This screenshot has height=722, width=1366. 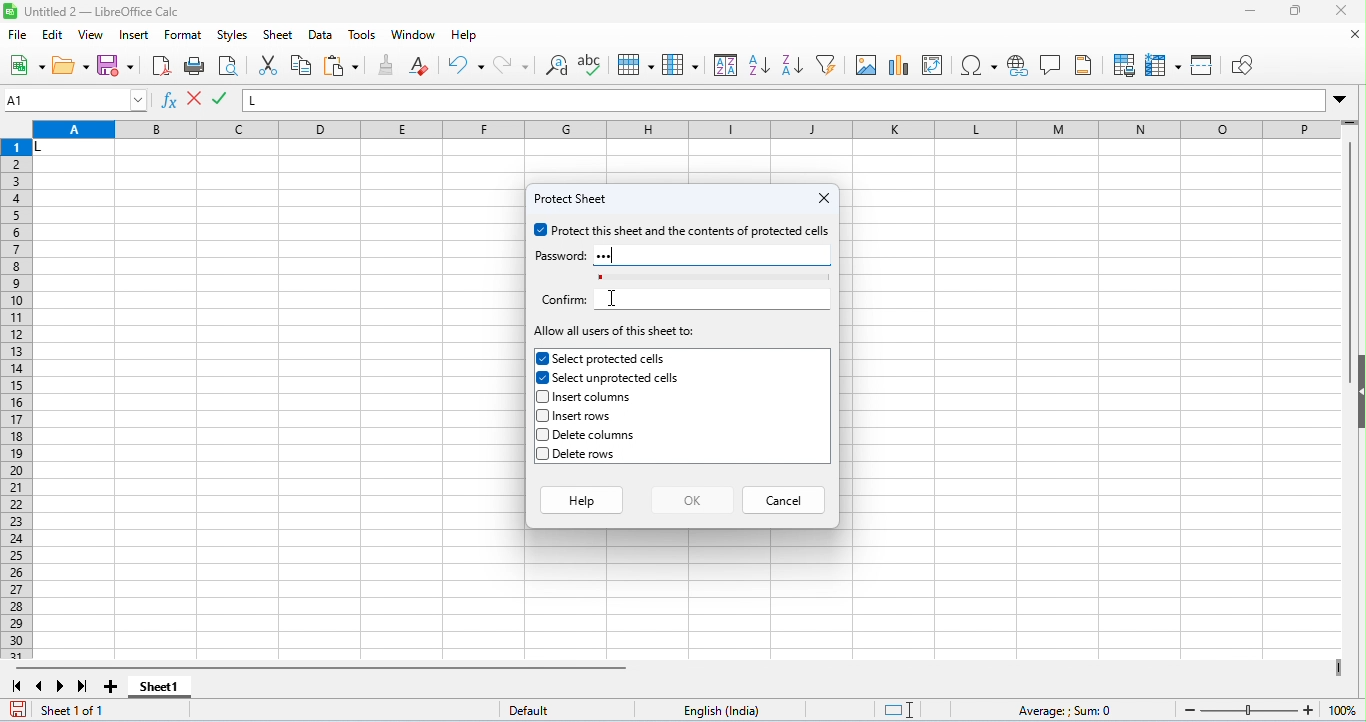 What do you see at coordinates (692, 498) in the screenshot?
I see `ok` at bounding box center [692, 498].